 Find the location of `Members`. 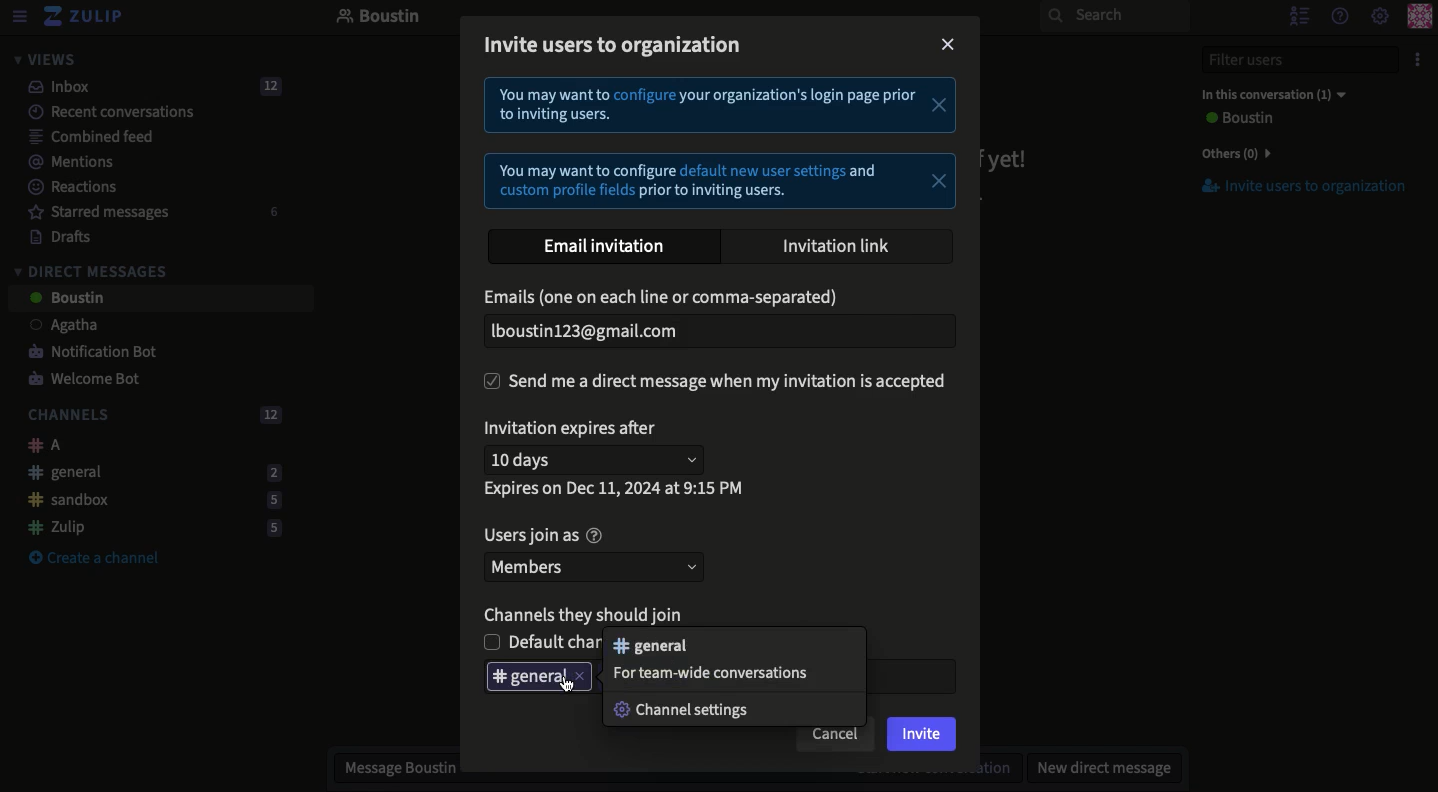

Members is located at coordinates (598, 566).